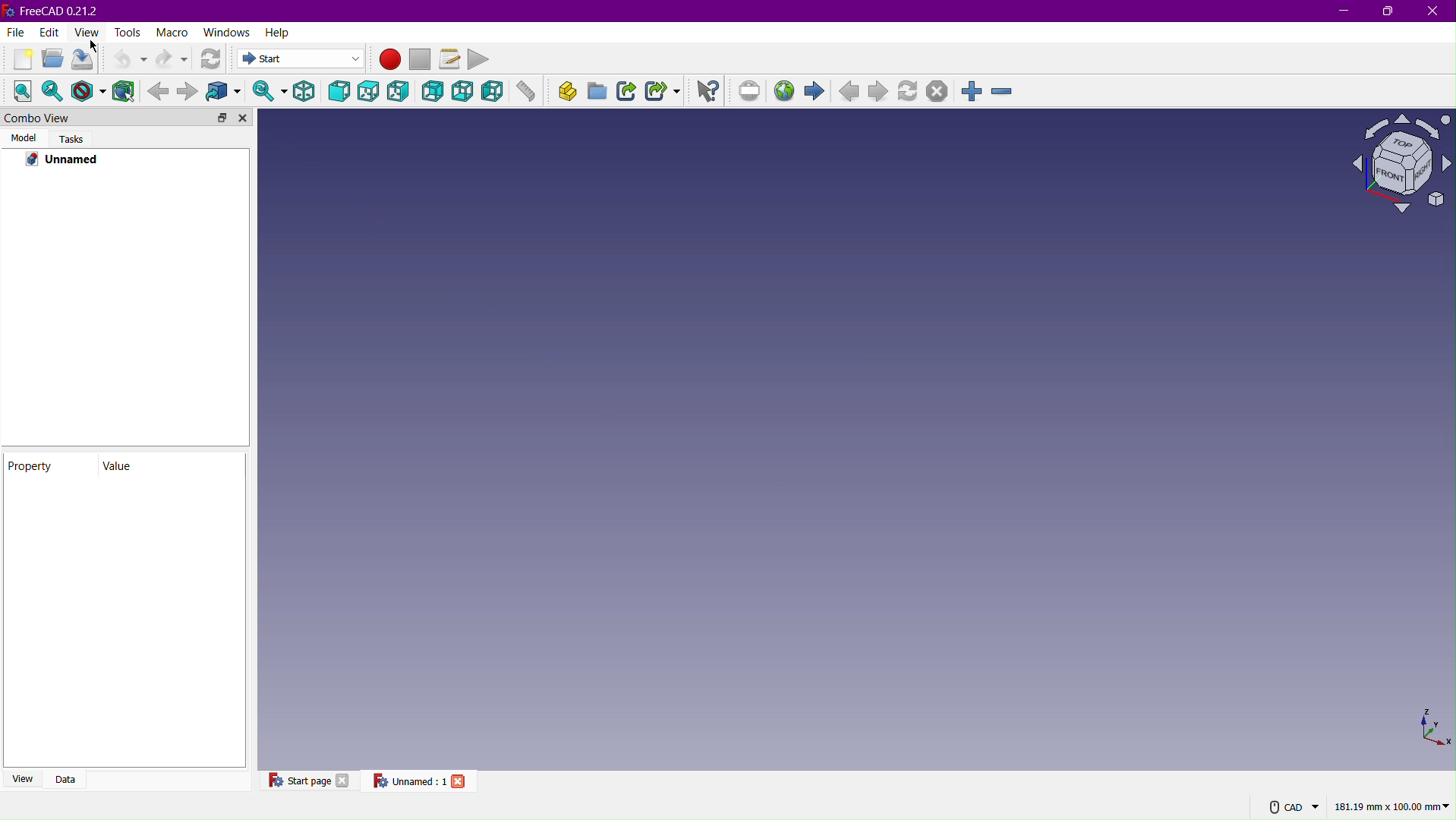 The width and height of the screenshot is (1456, 820). What do you see at coordinates (340, 91) in the screenshot?
I see `Front` at bounding box center [340, 91].